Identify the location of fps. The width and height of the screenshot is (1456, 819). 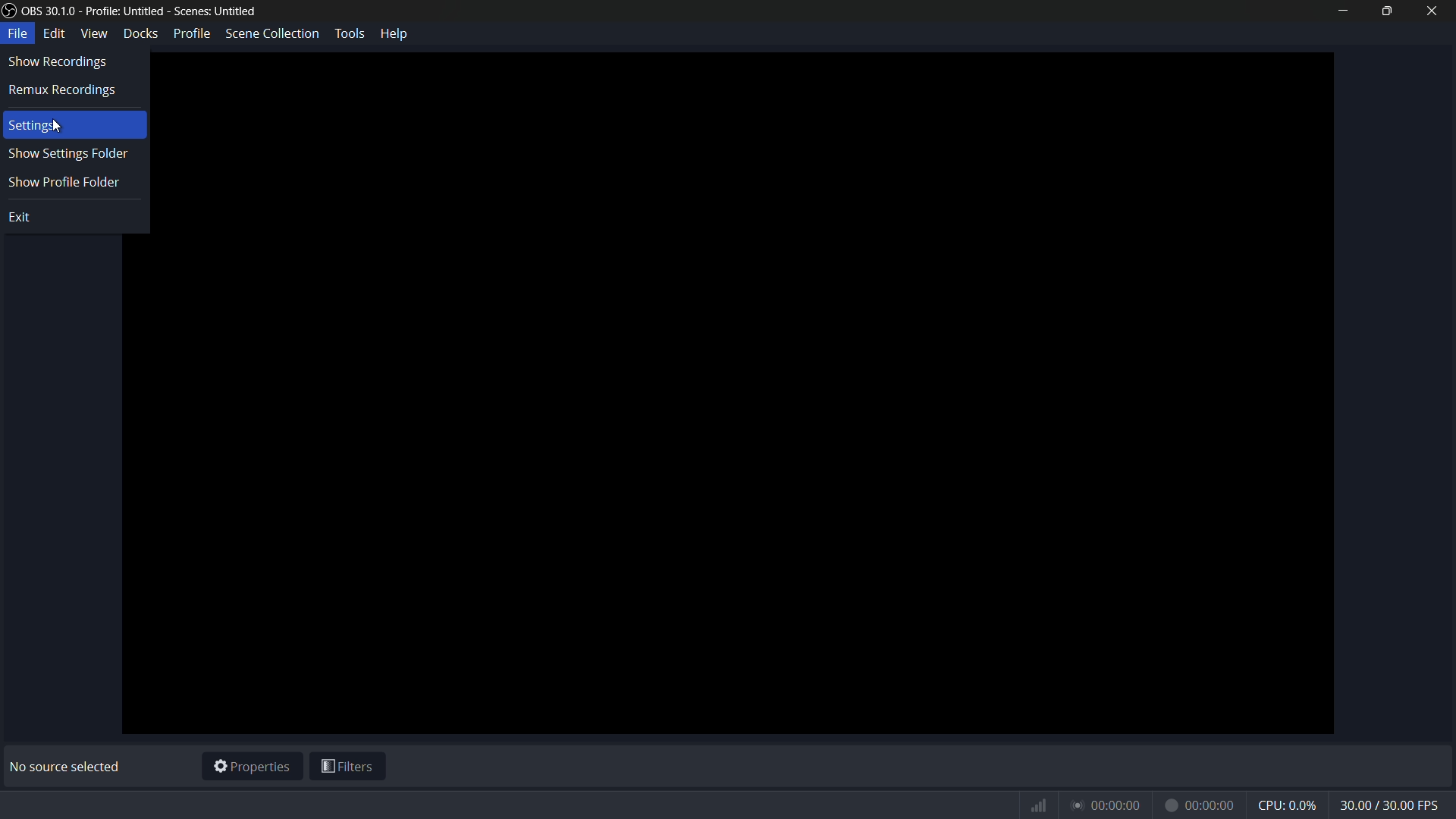
(1391, 806).